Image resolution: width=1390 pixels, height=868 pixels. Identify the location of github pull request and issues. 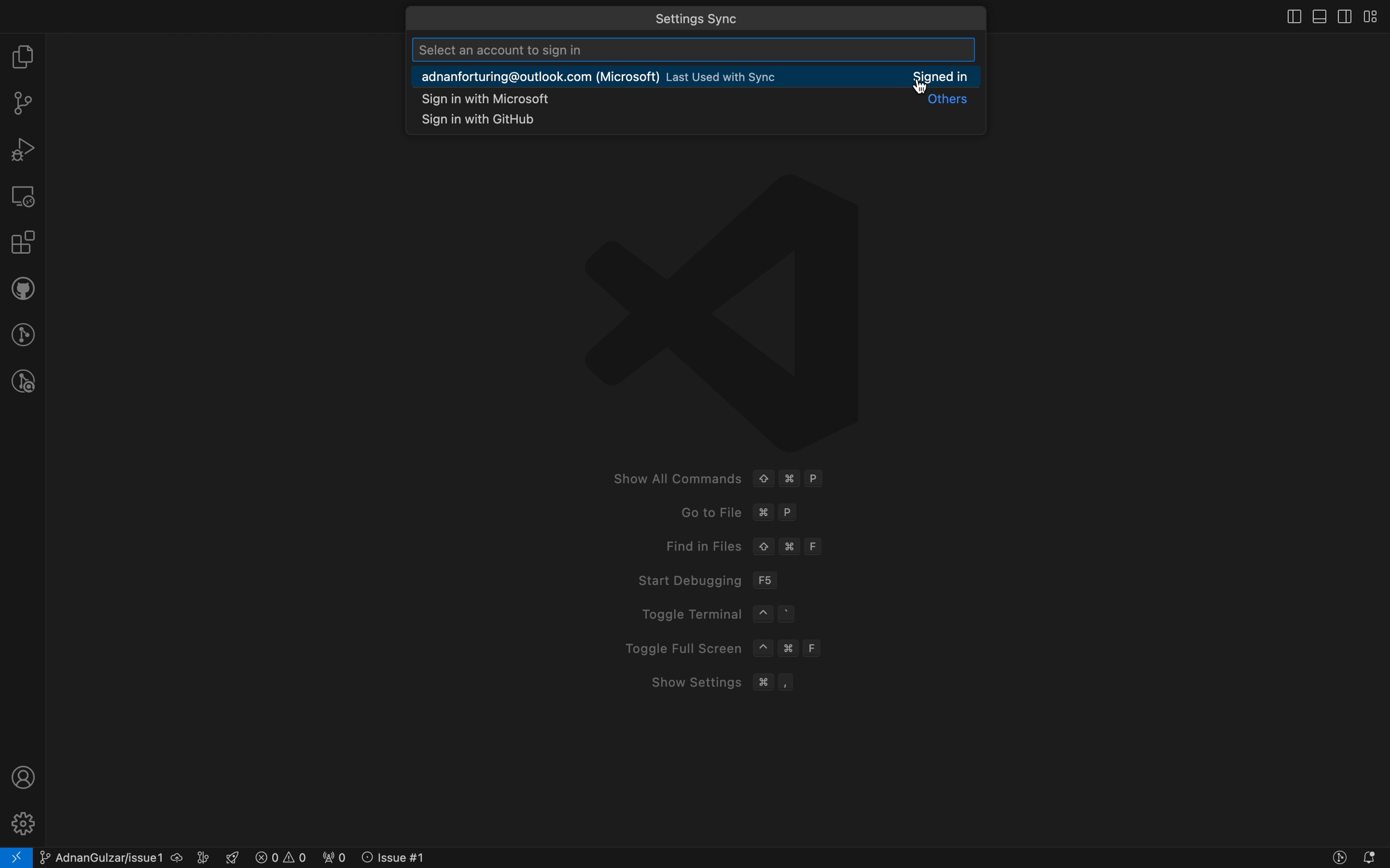
(22, 289).